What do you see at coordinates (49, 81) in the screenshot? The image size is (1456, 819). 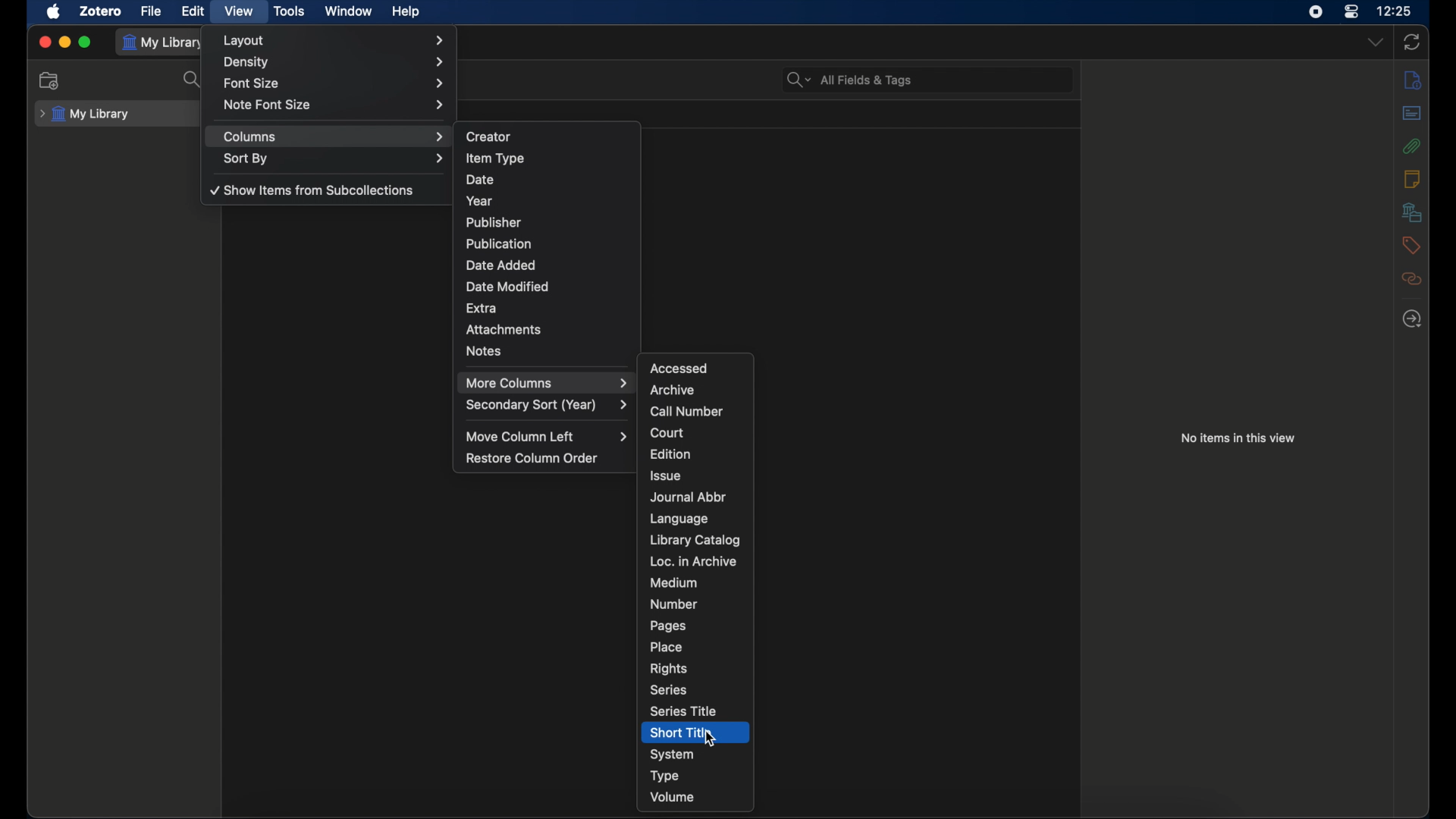 I see `new collection` at bounding box center [49, 81].